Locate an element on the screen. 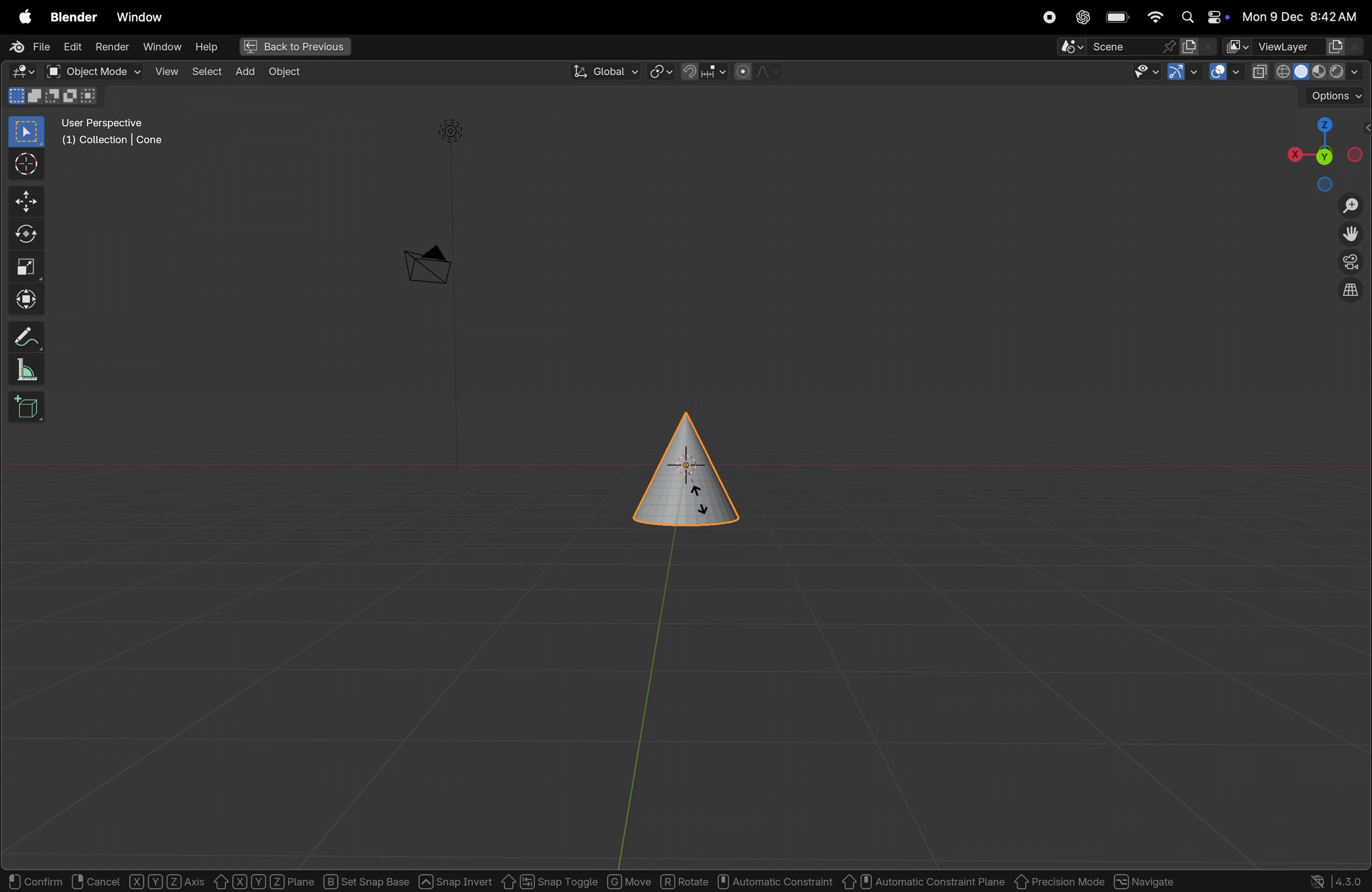 The width and height of the screenshot is (1372, 892). view layer is located at coordinates (1296, 44).